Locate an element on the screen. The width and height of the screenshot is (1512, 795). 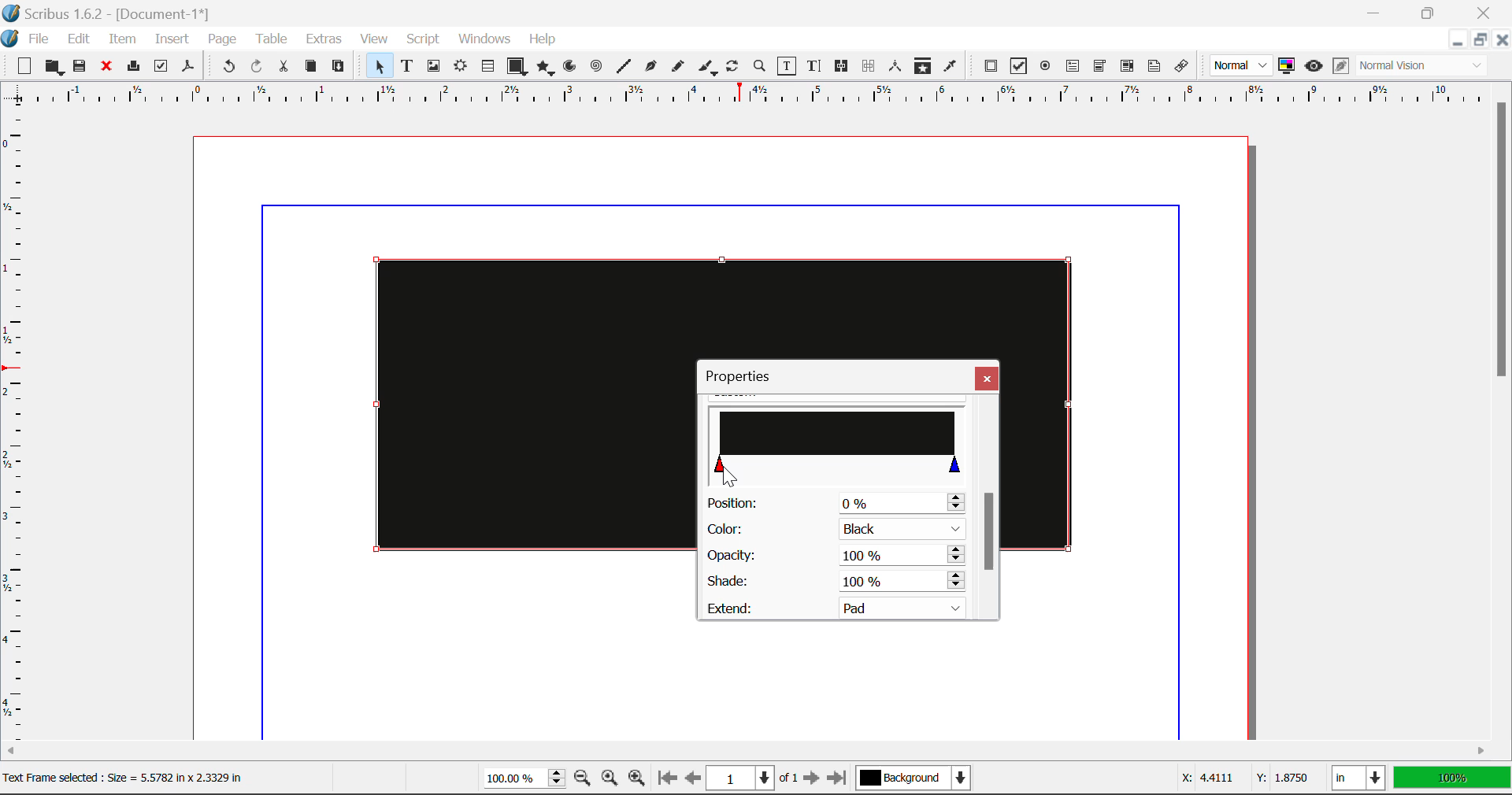
Measurement Units is located at coordinates (1360, 780).